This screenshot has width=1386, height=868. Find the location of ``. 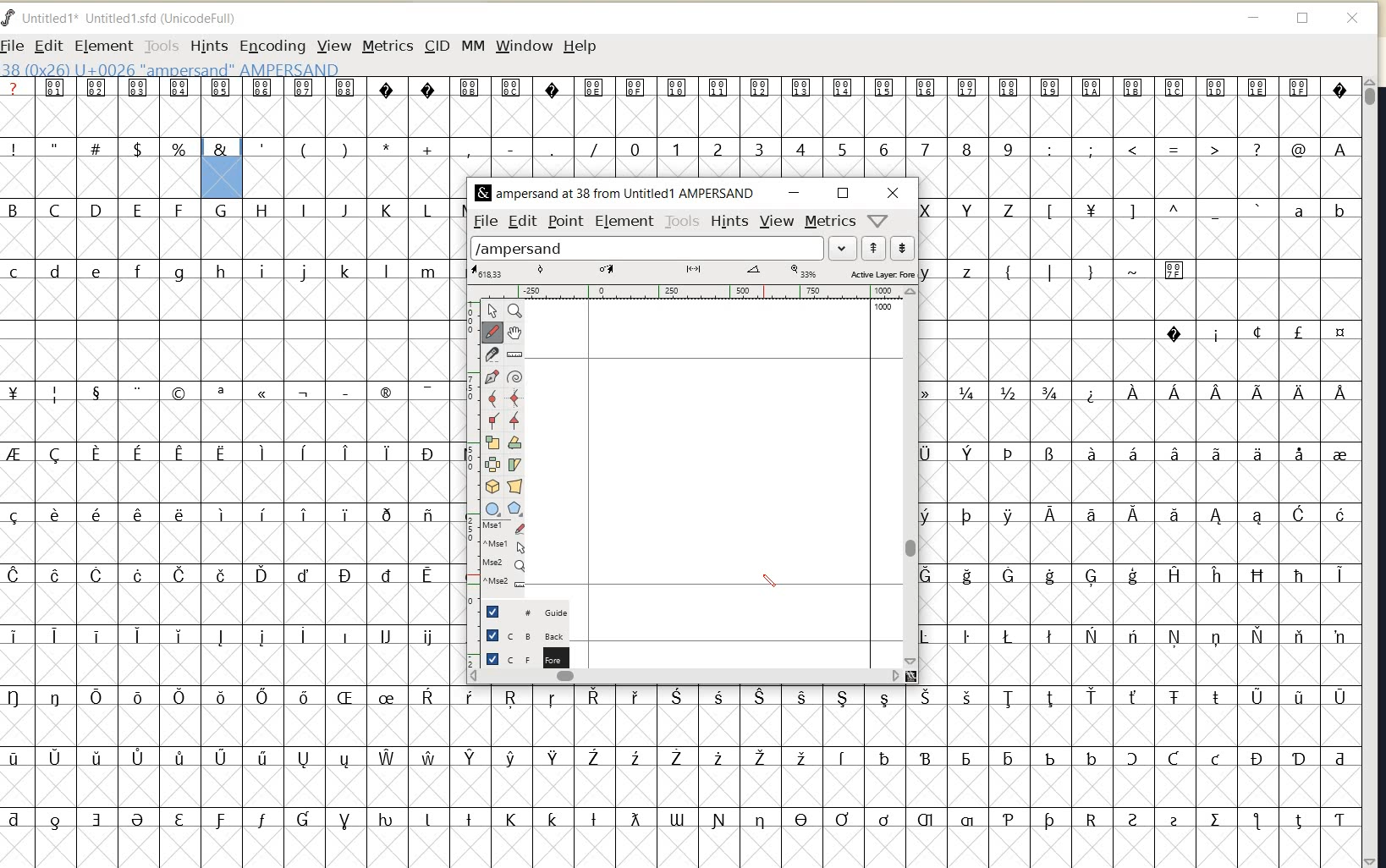

 is located at coordinates (517, 509).